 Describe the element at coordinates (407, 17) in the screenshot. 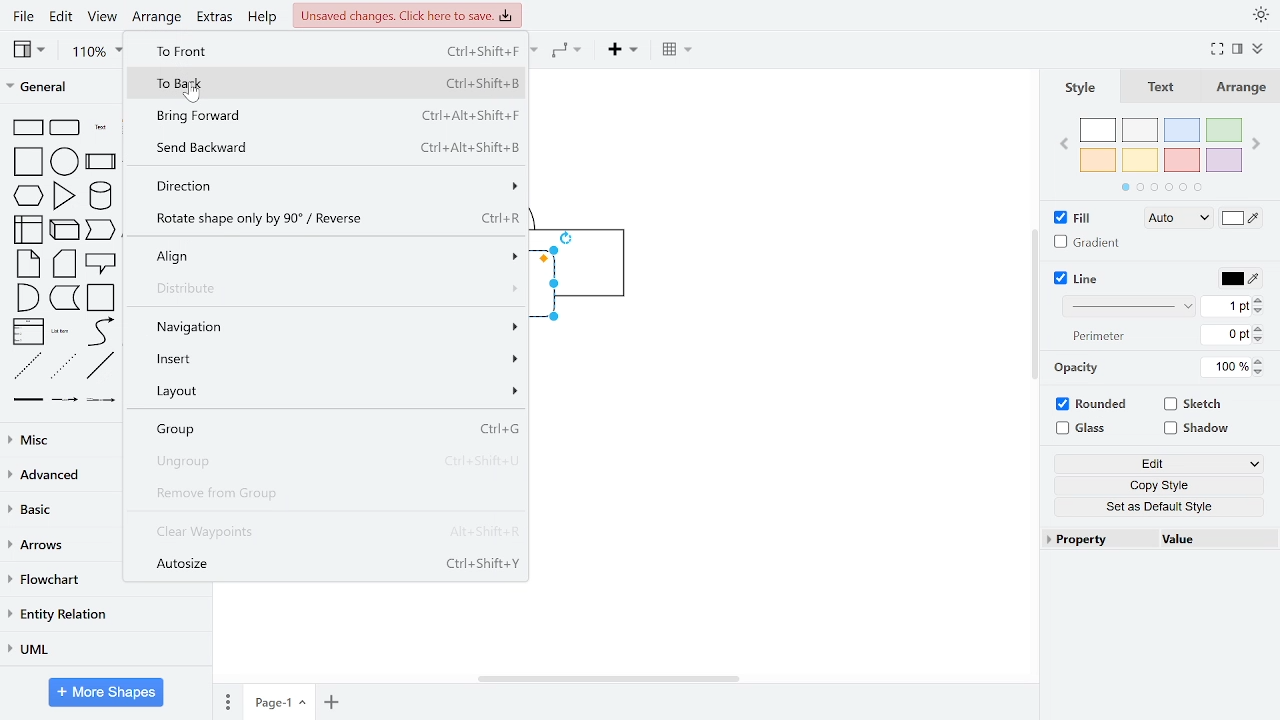

I see `unsaved changes. Click here to save` at that location.